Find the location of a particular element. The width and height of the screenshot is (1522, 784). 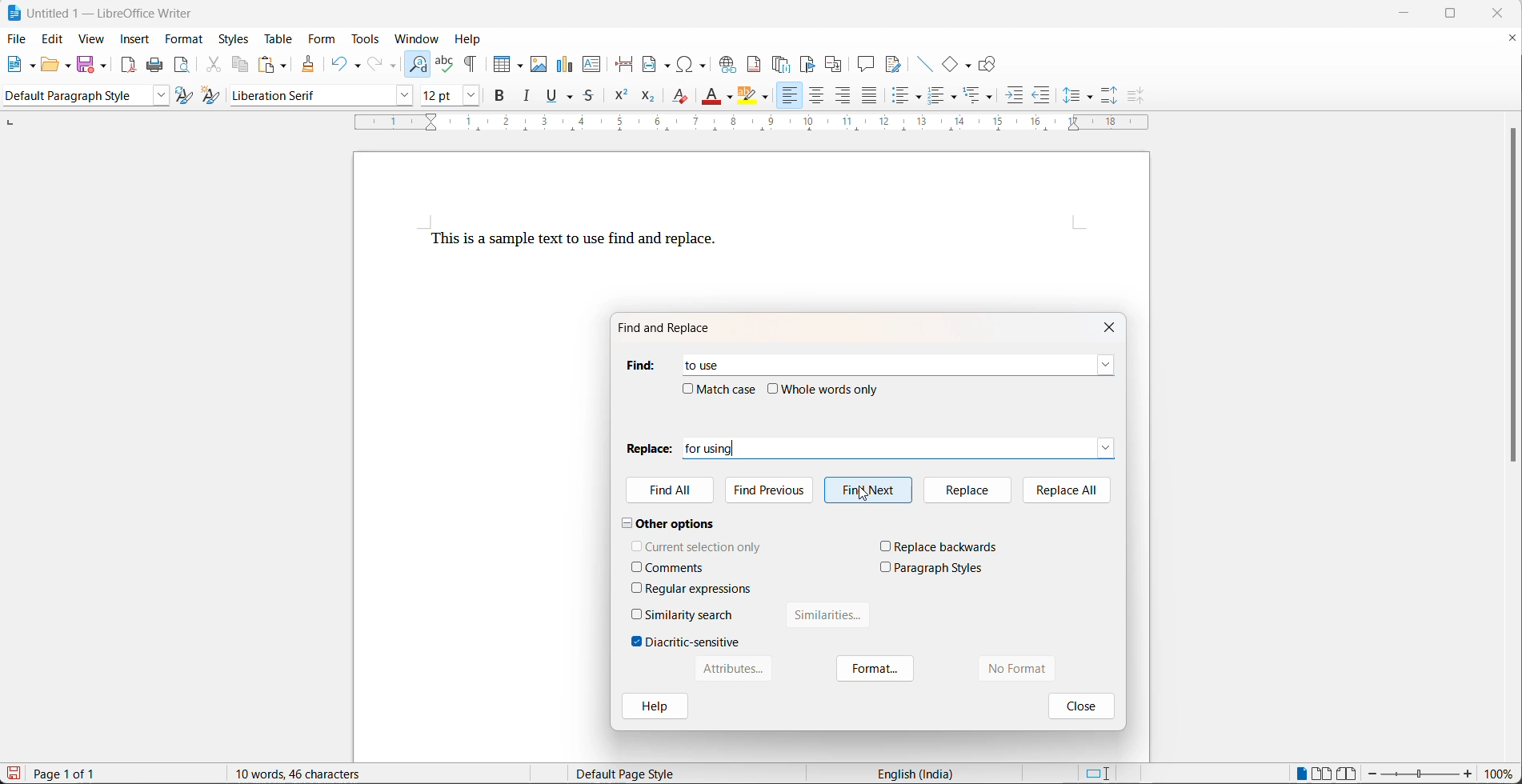

single page view is located at coordinates (1302, 772).